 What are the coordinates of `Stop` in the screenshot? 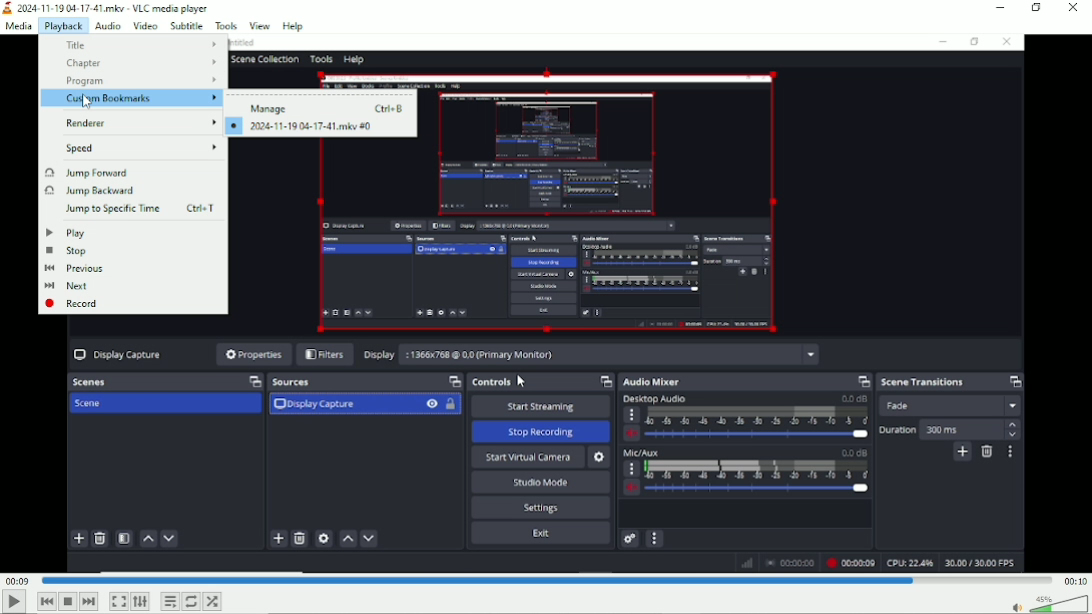 It's located at (67, 251).